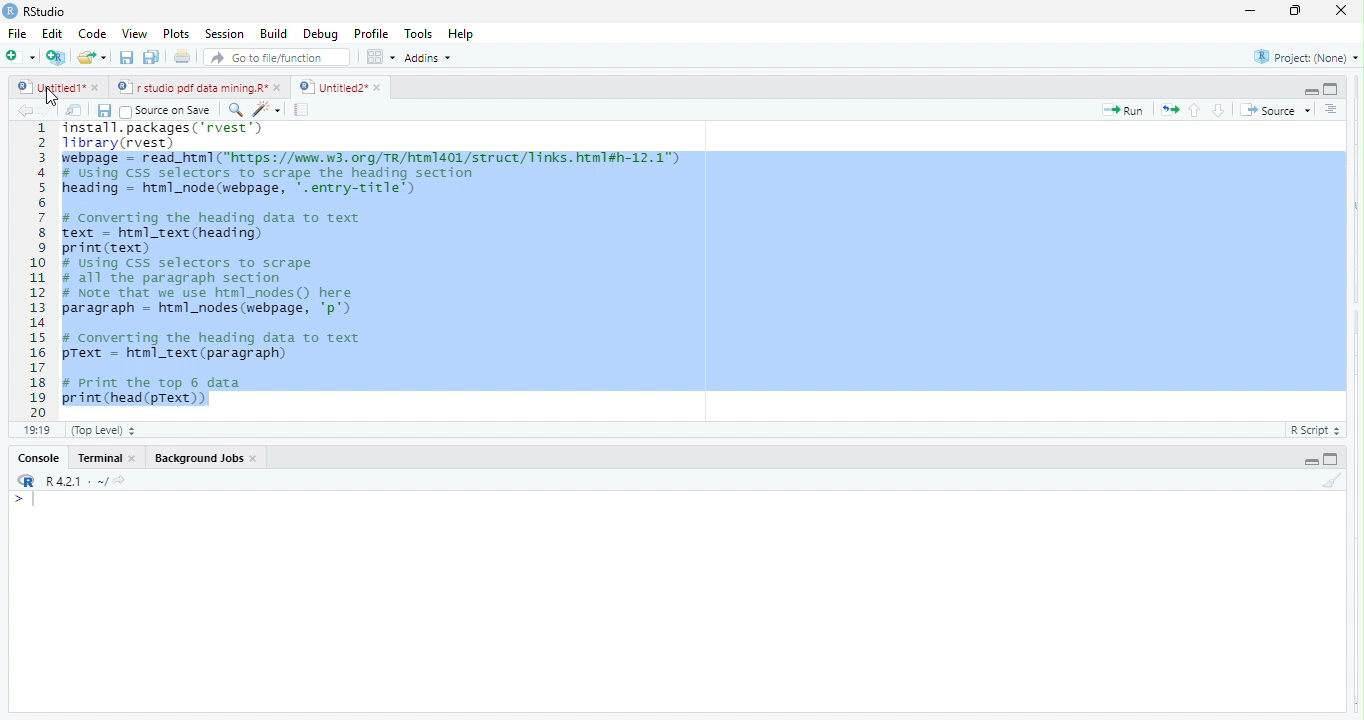 The height and width of the screenshot is (720, 1364). I want to click on show document outline, so click(1332, 109).